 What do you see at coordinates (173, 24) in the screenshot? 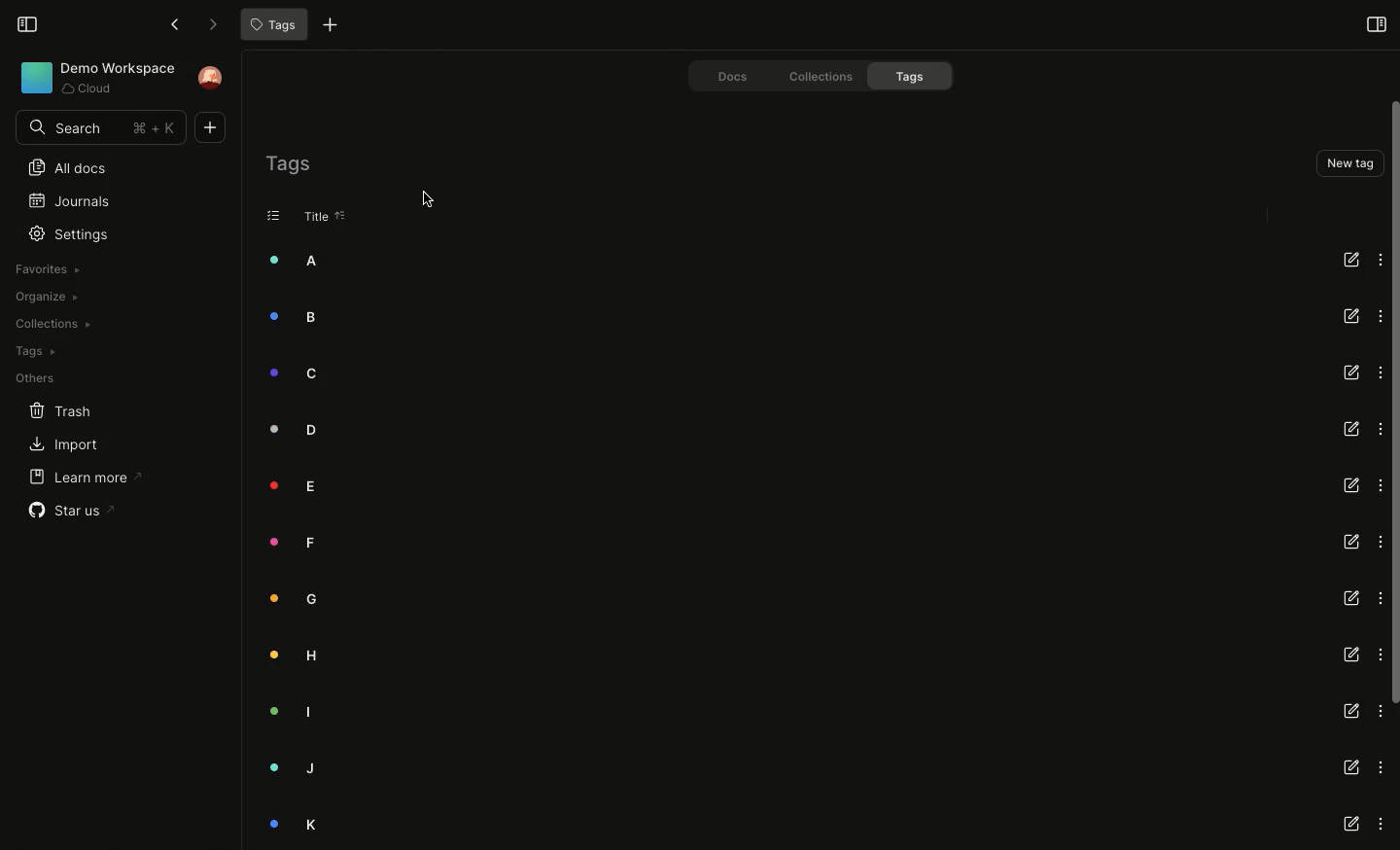
I see `Back` at bounding box center [173, 24].